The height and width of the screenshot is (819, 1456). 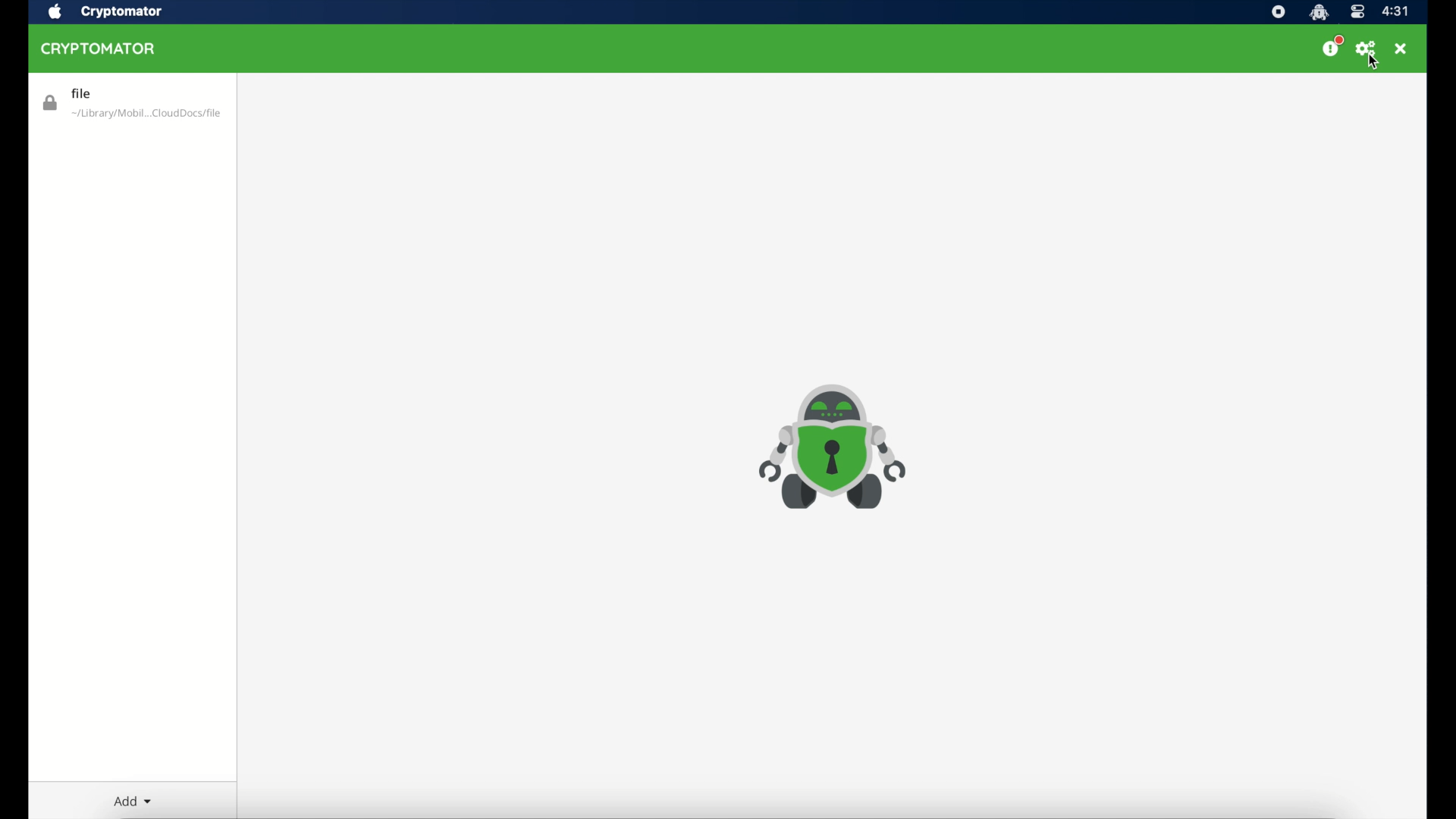 I want to click on control center, so click(x=1357, y=11).